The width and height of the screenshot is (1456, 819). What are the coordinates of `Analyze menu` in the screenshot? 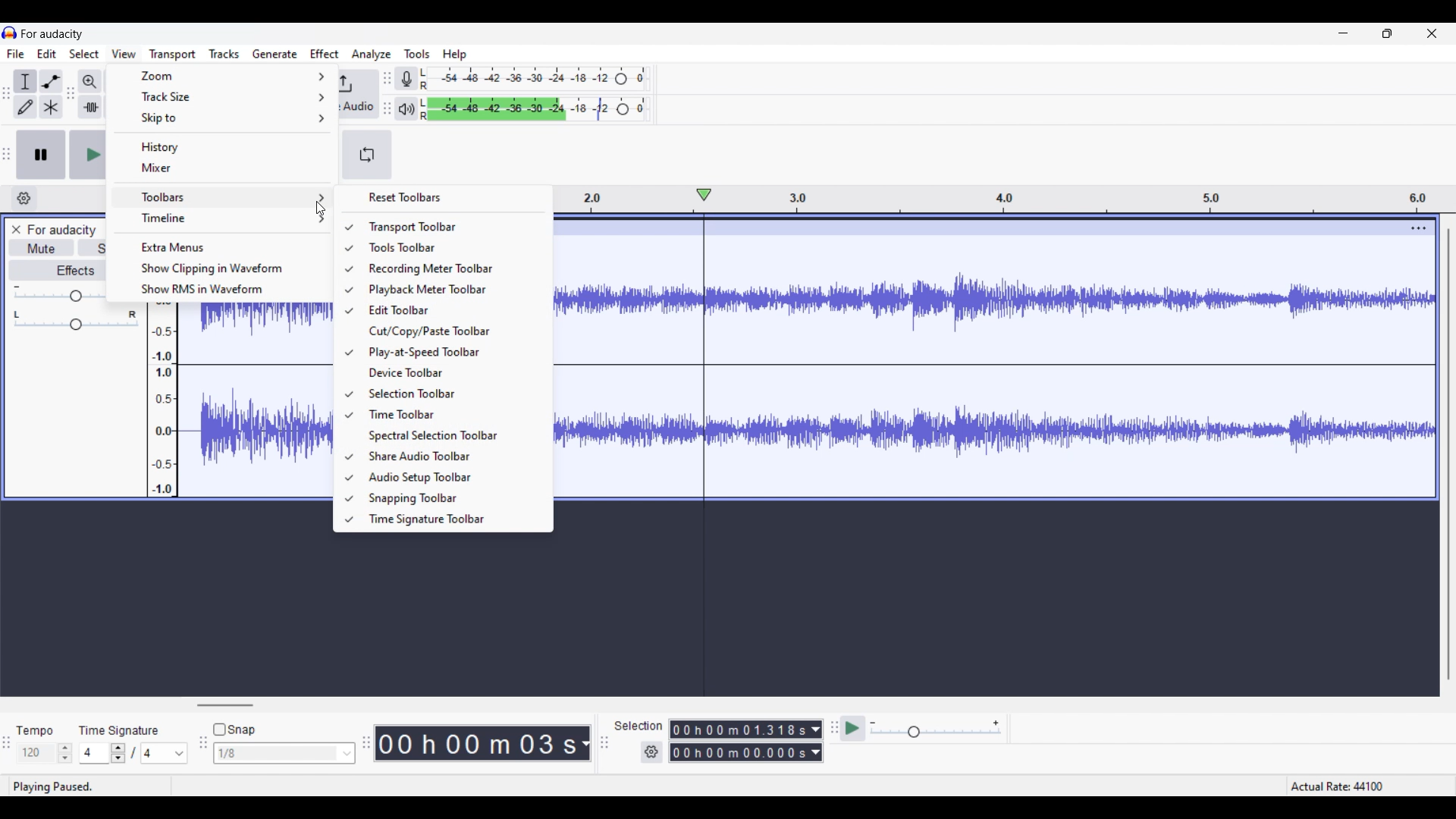 It's located at (370, 55).